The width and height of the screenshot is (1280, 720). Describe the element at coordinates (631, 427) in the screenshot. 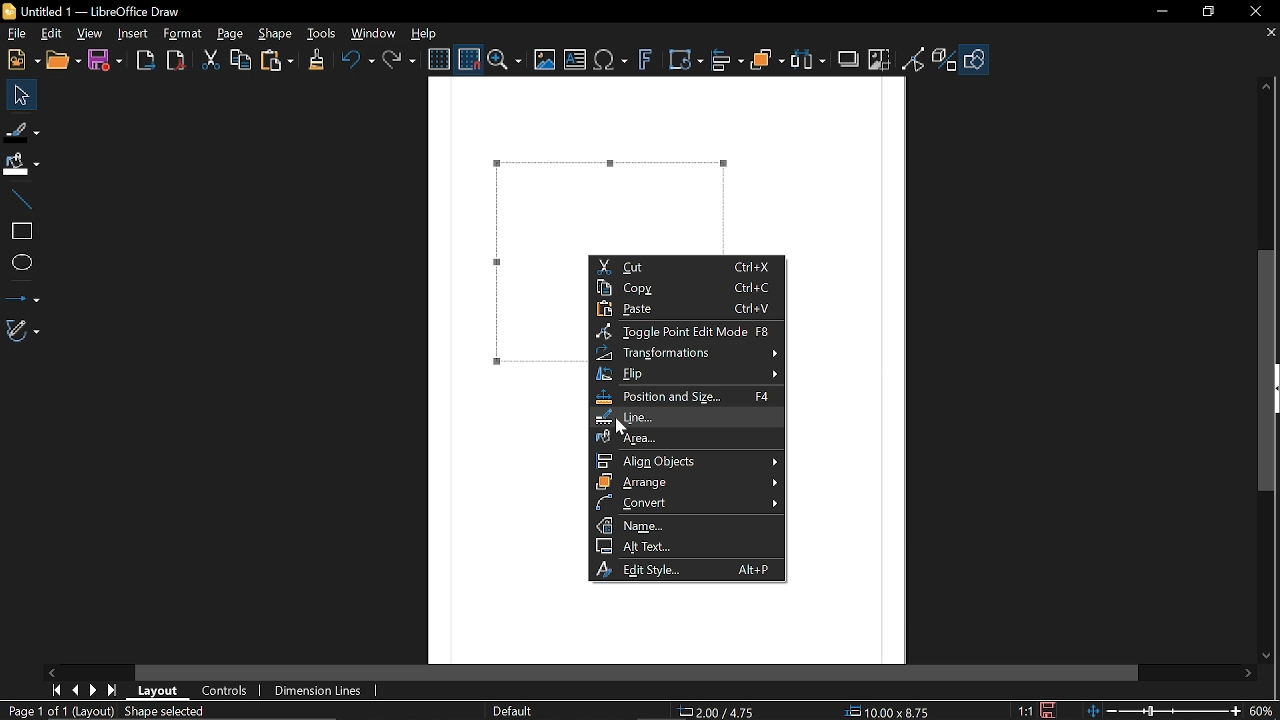

I see `cursor` at that location.